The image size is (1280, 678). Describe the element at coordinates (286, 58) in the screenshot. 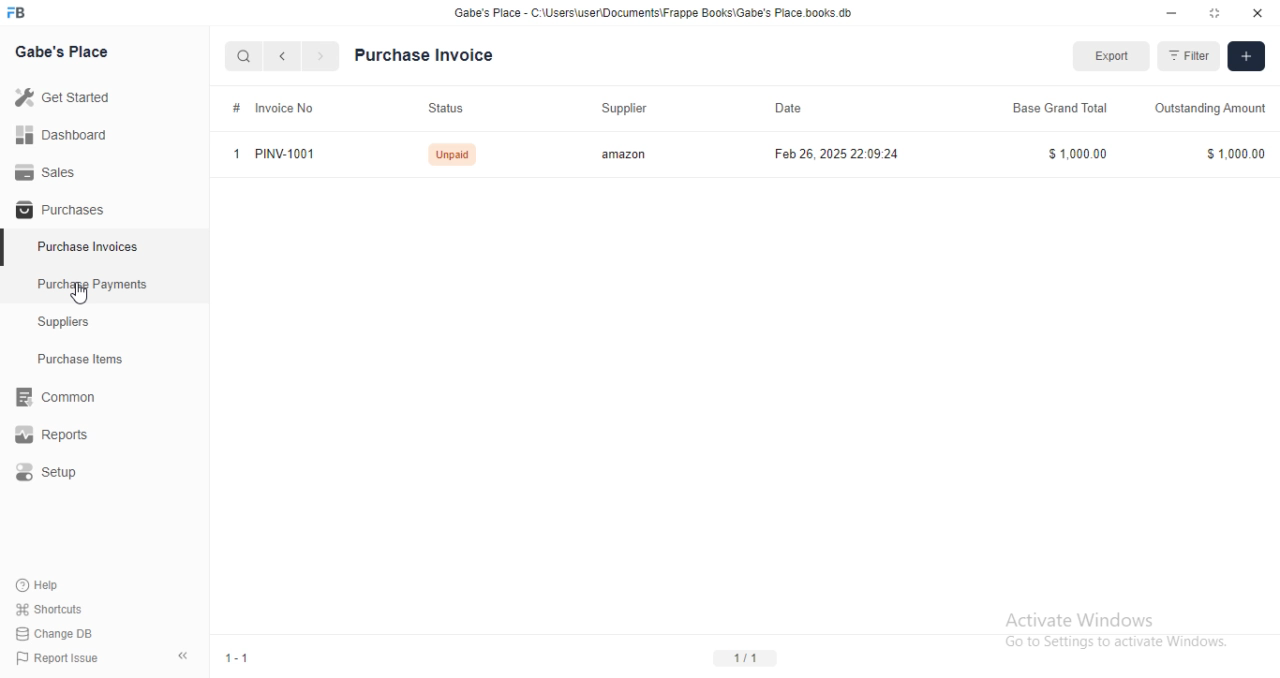

I see `navigate backward` at that location.